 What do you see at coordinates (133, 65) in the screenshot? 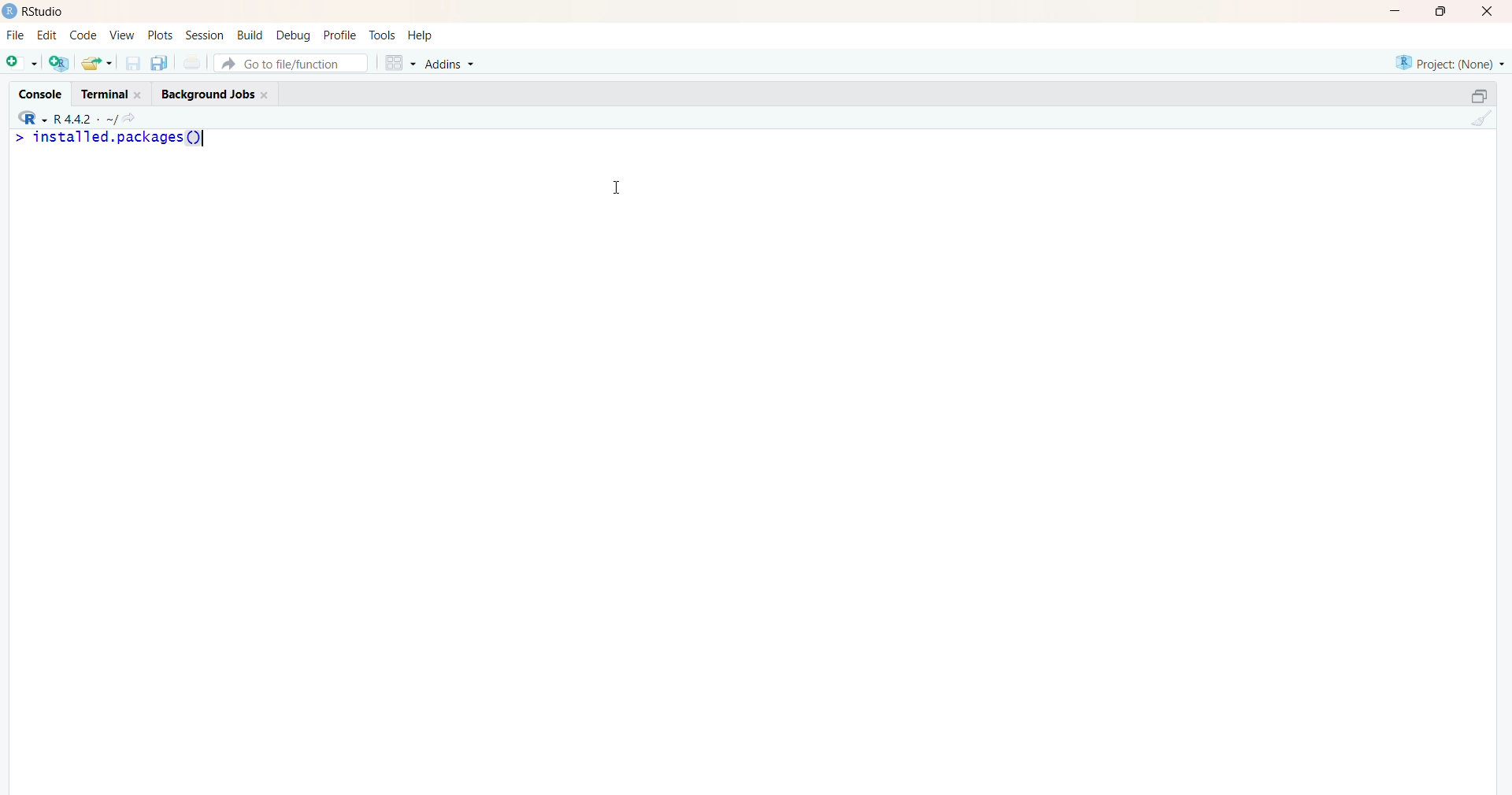
I see `save current document` at bounding box center [133, 65].